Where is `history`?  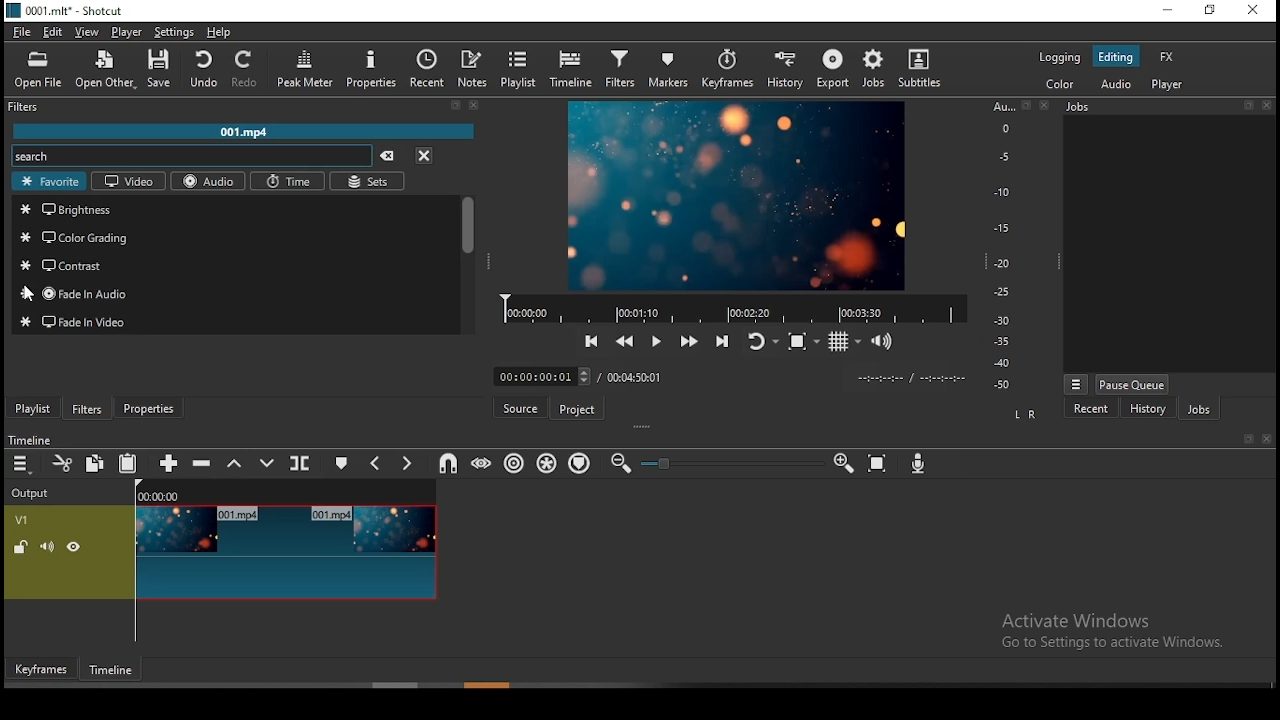
history is located at coordinates (780, 68).